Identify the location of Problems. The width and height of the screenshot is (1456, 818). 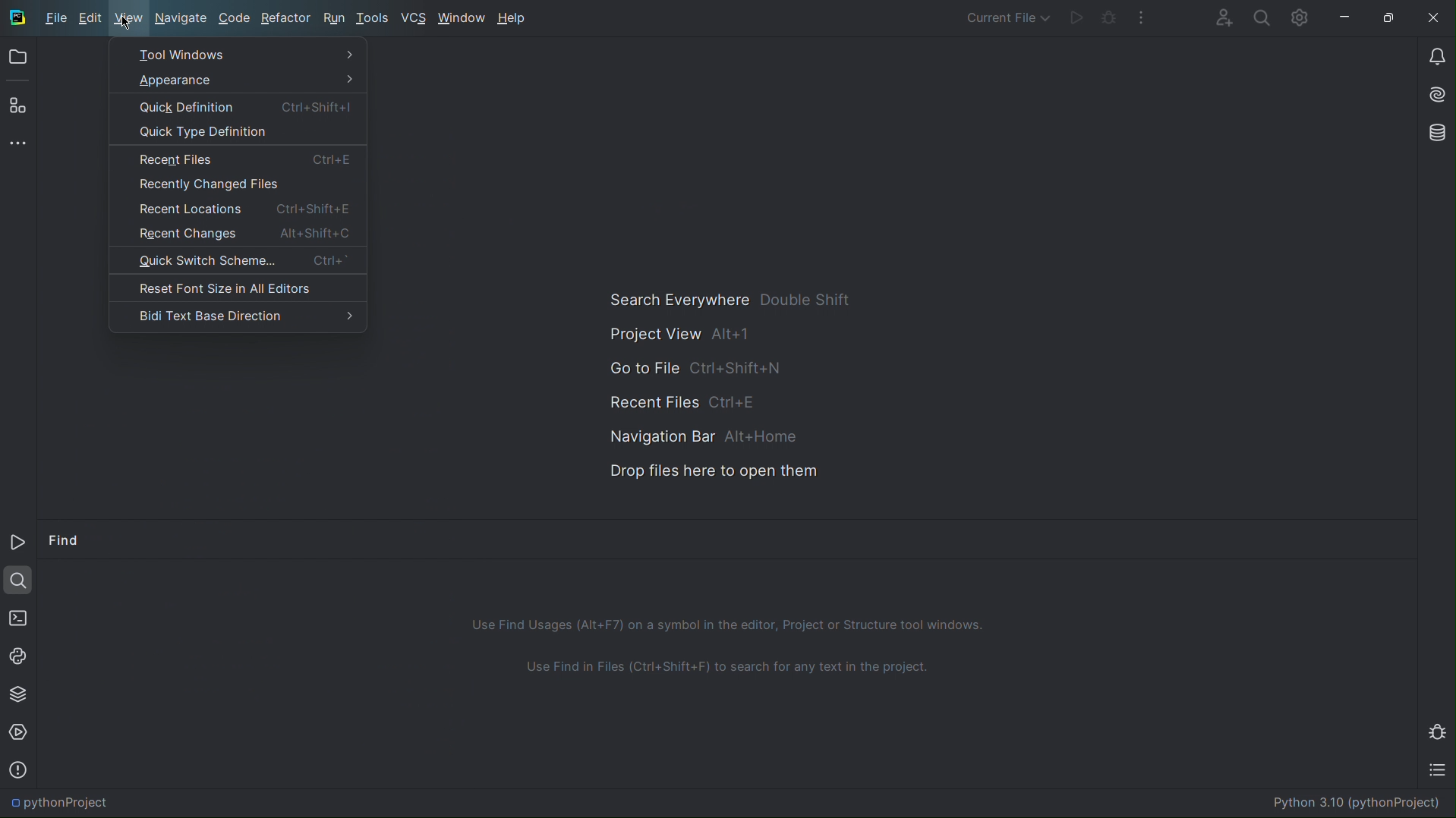
(17, 769).